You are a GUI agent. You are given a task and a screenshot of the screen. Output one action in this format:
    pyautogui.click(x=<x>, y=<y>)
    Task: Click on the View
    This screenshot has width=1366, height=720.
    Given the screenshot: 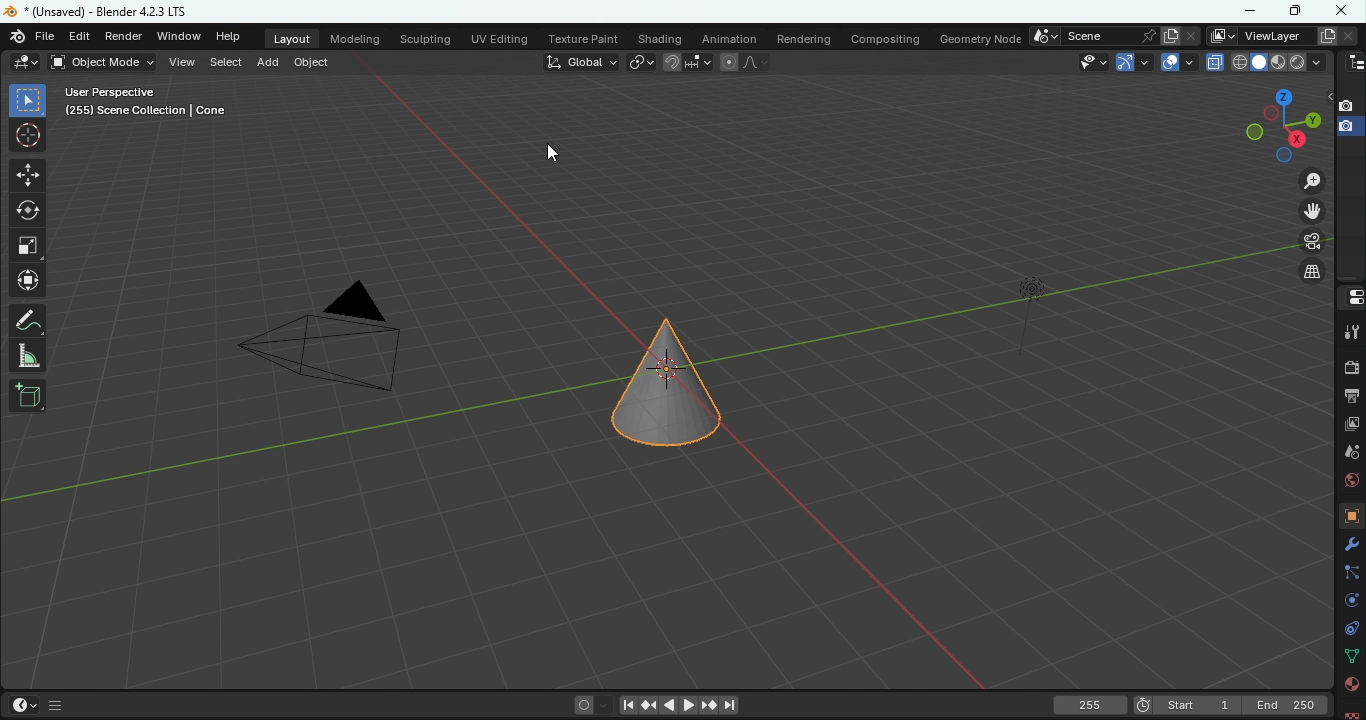 What is the action you would take?
    pyautogui.click(x=183, y=63)
    